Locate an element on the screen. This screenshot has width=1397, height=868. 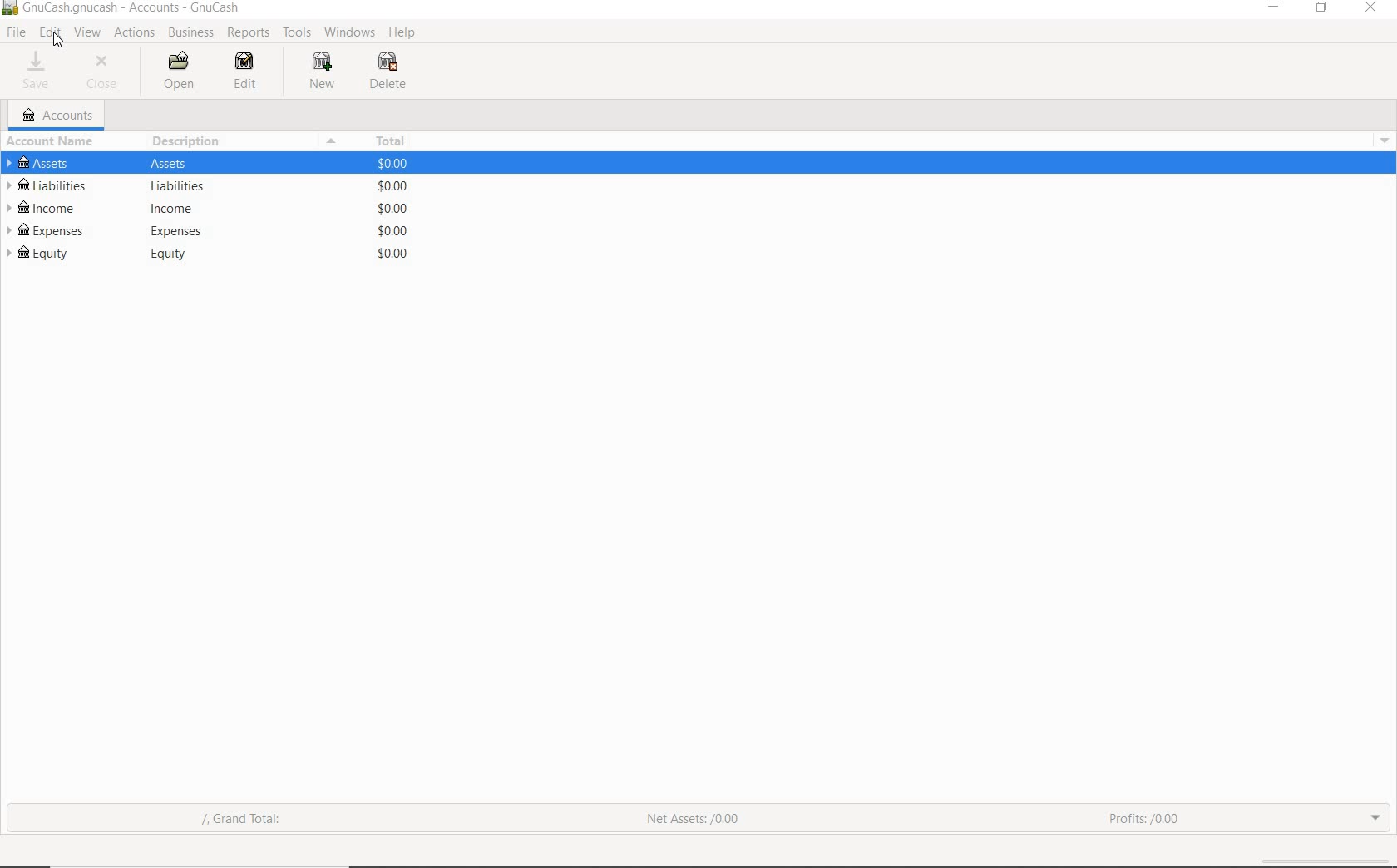
LIABILITIES is located at coordinates (52, 185).